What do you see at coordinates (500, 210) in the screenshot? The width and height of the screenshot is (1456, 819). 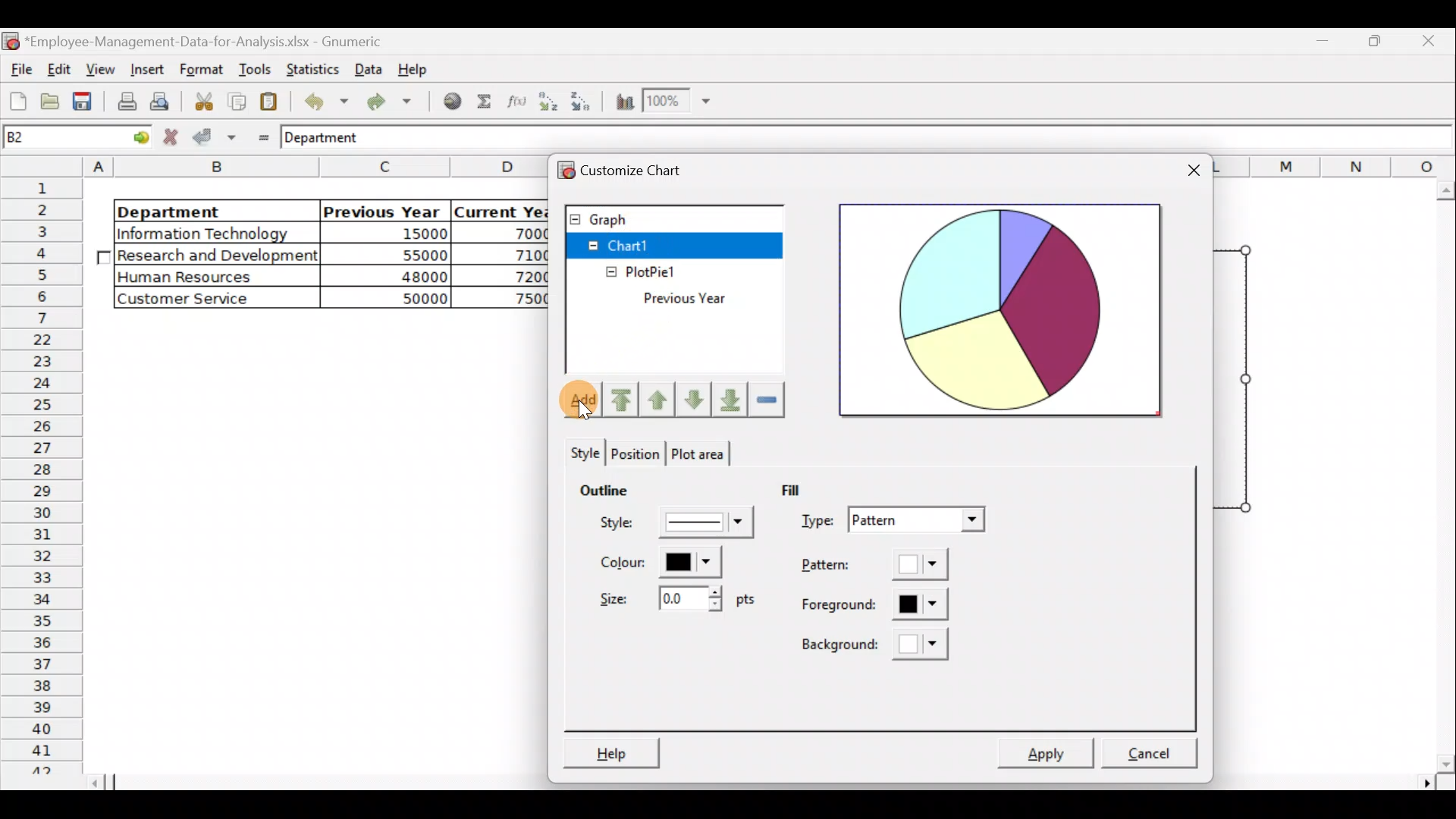 I see `Current Year` at bounding box center [500, 210].